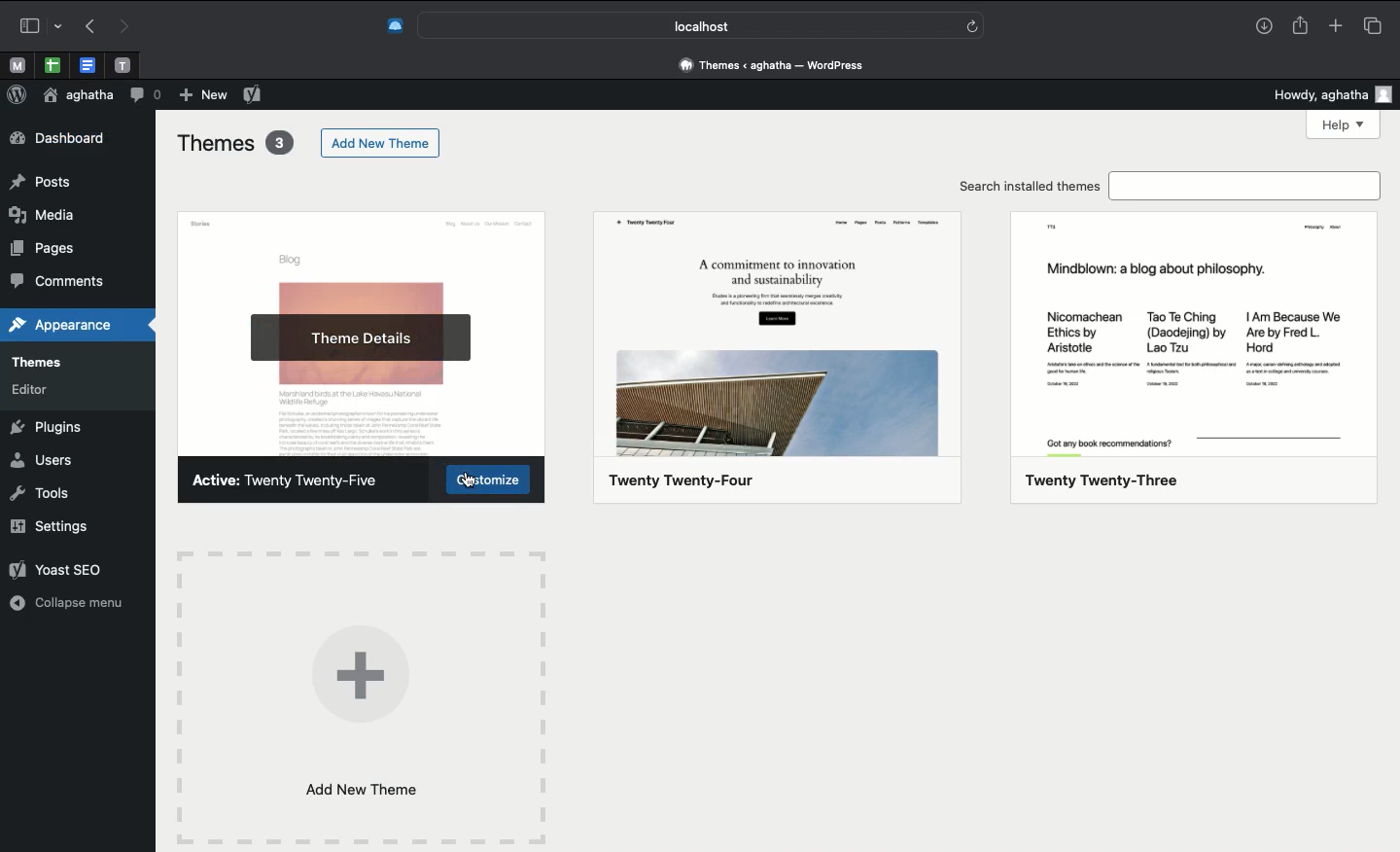 This screenshot has width=1400, height=852. I want to click on Dashboard, so click(57, 141).